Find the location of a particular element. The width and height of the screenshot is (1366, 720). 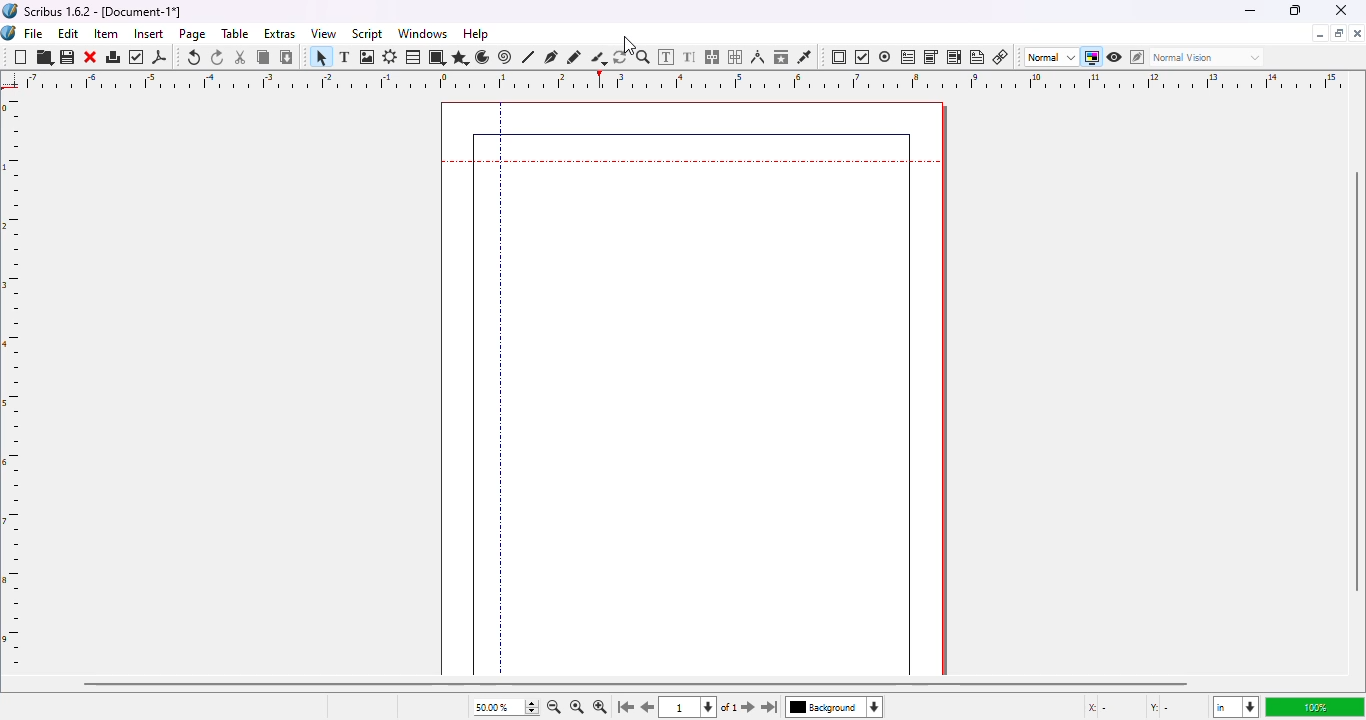

cut is located at coordinates (241, 57).